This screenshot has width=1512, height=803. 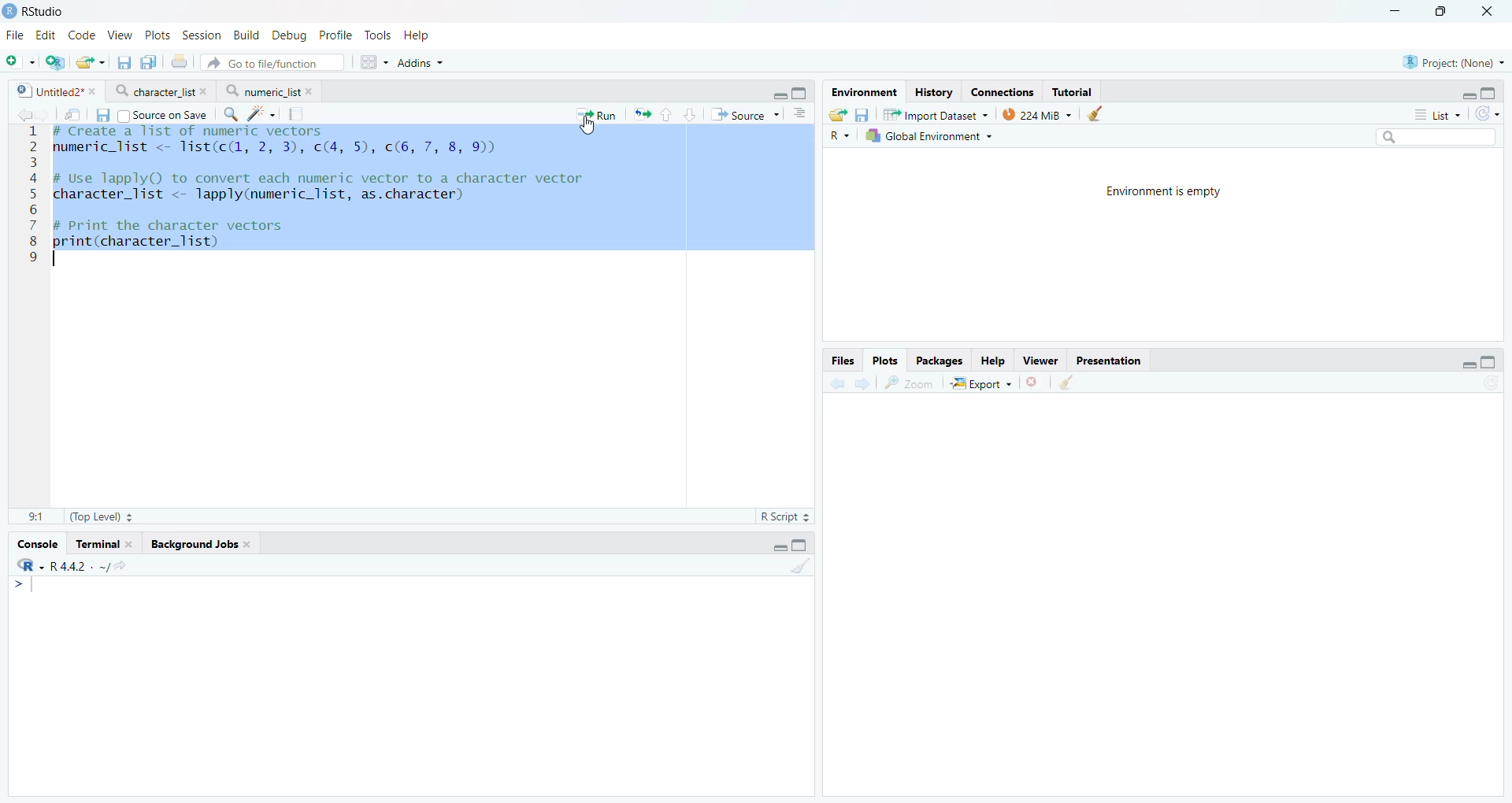 I want to click on Line numbers, so click(x=29, y=194).